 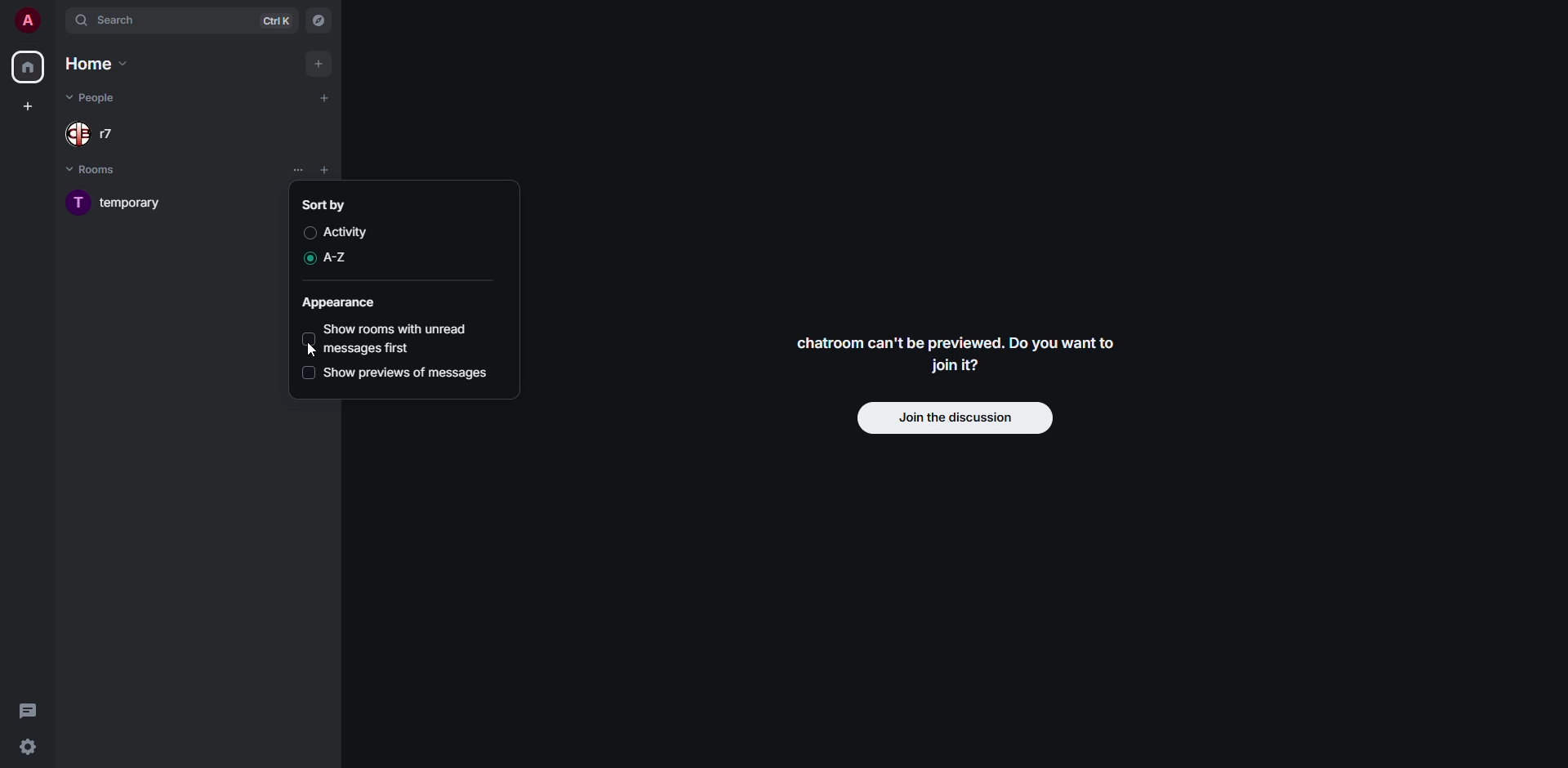 I want to click on home, so click(x=100, y=64).